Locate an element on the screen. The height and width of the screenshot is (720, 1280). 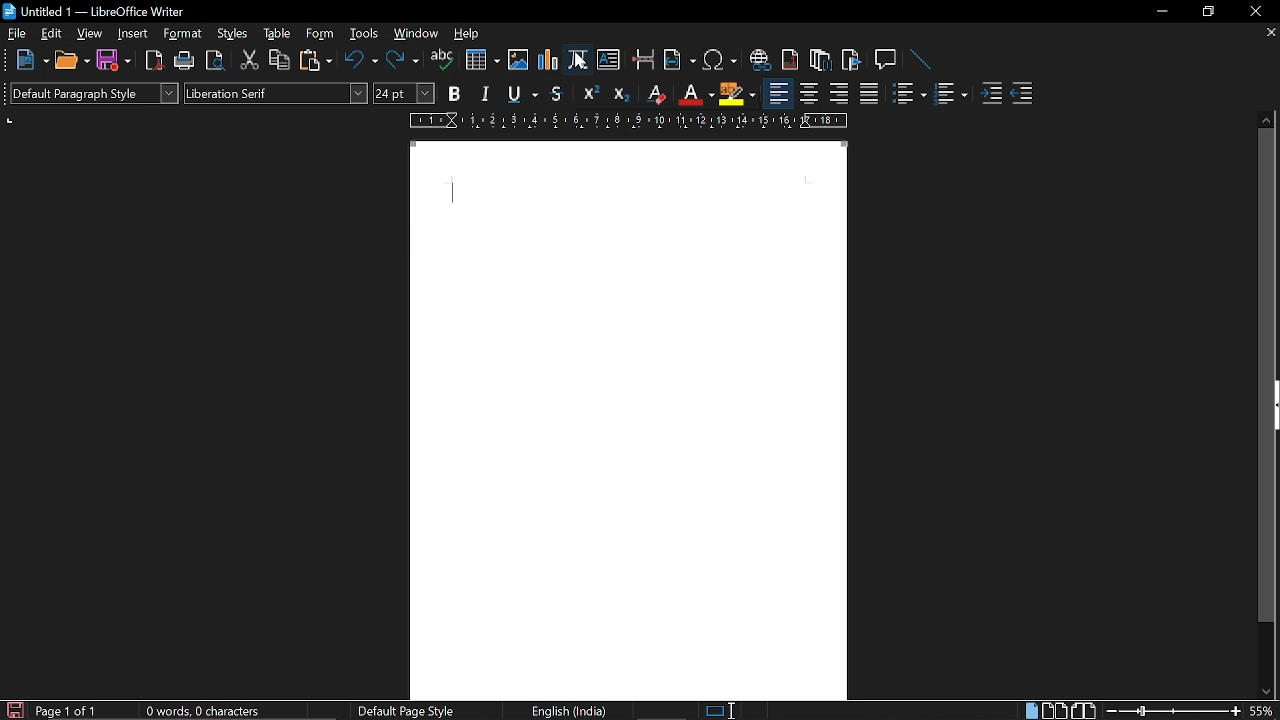
export as pdf is located at coordinates (155, 60).